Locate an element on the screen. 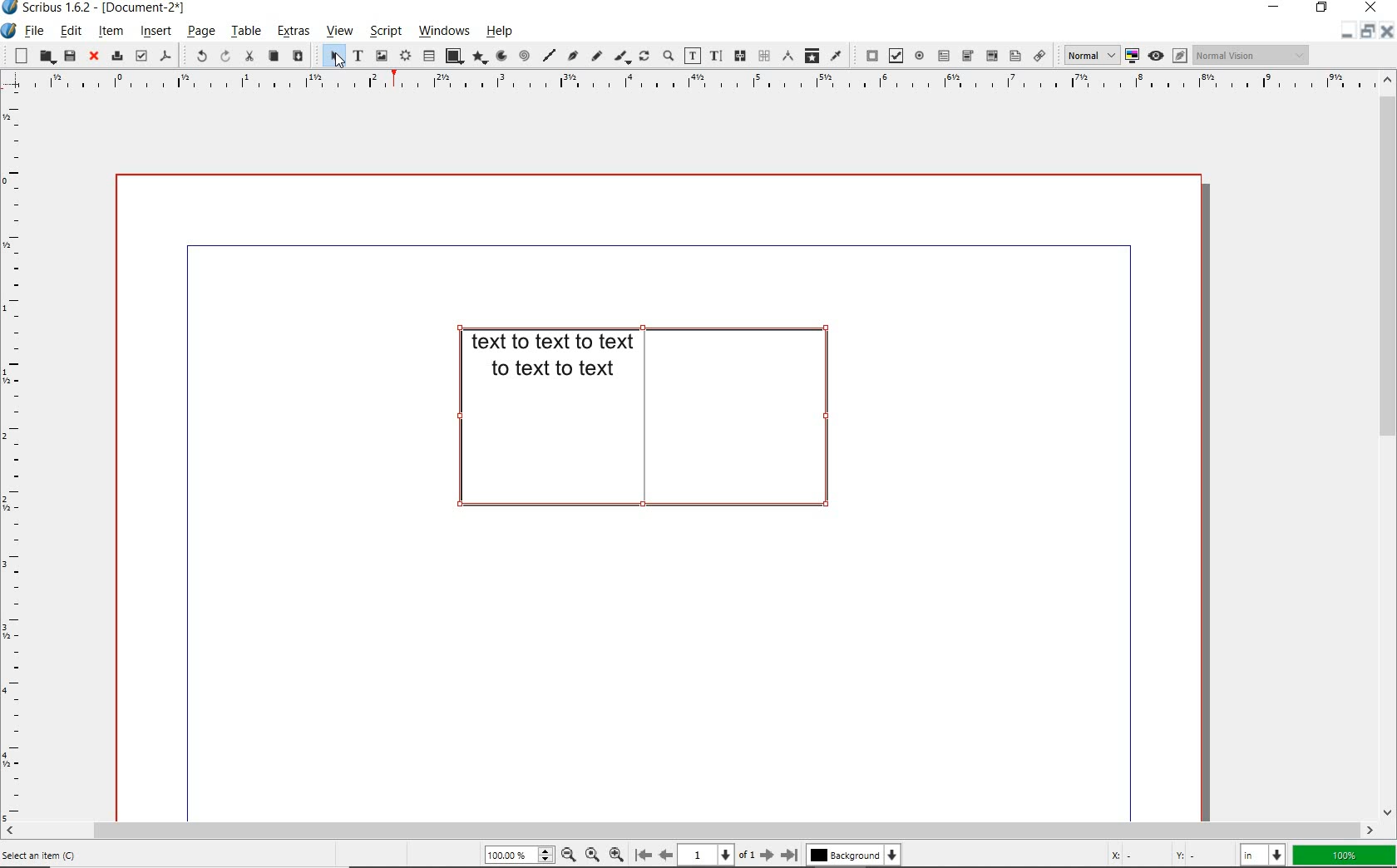 This screenshot has width=1397, height=868. page  is located at coordinates (707, 854).